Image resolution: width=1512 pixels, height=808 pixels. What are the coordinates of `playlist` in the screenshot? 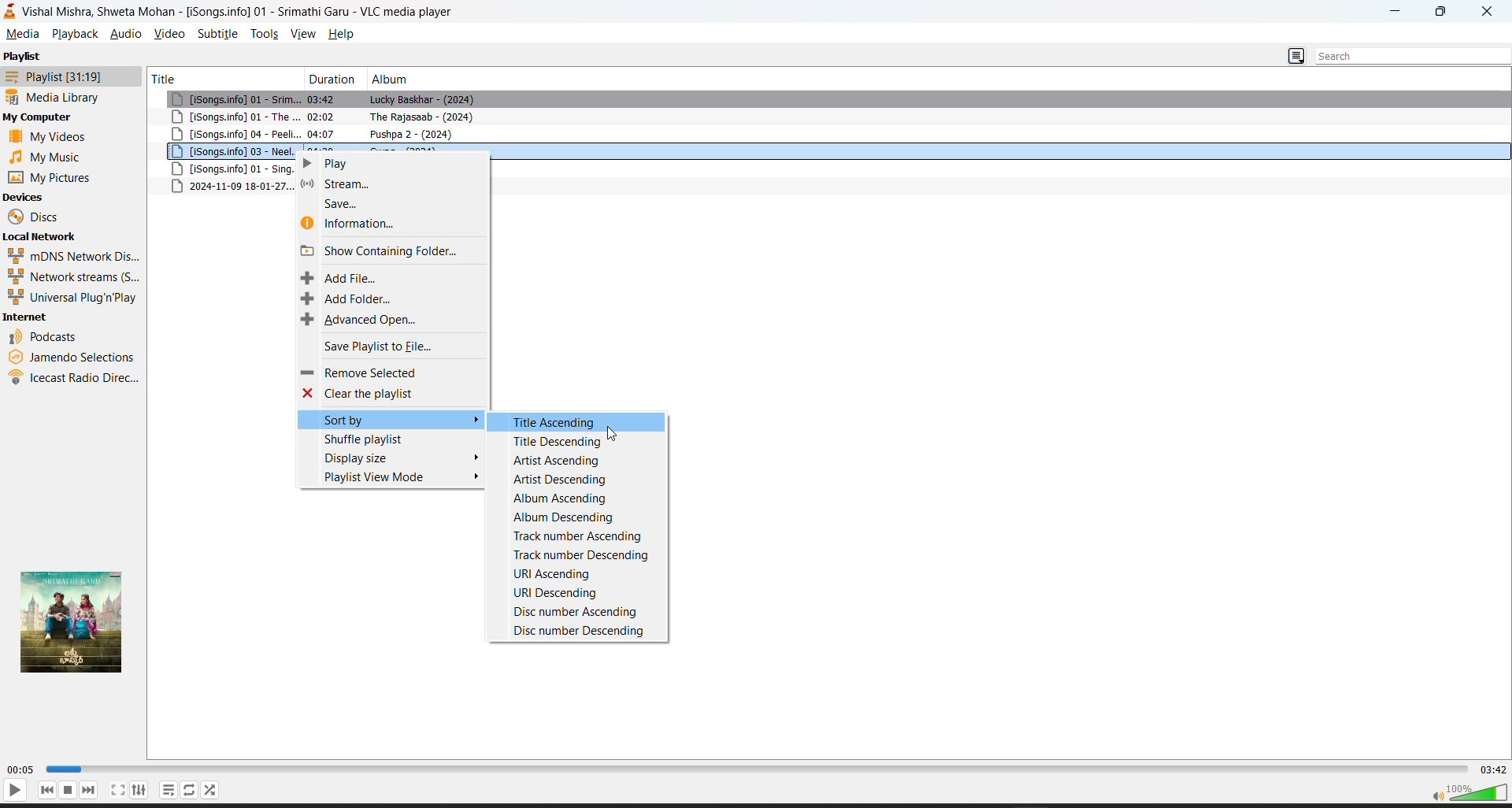 It's located at (190, 789).